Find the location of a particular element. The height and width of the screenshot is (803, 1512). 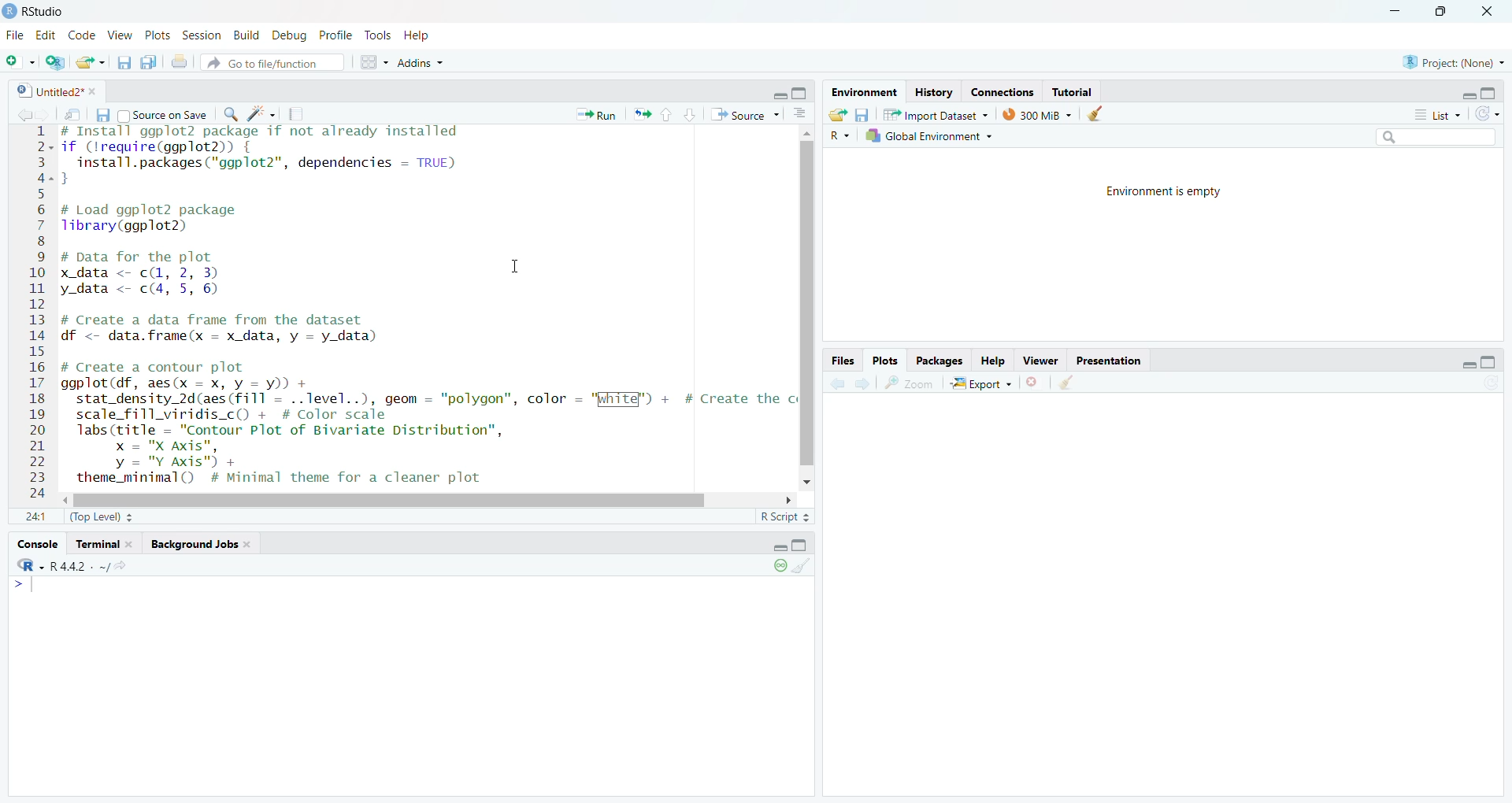

List  is located at coordinates (1440, 115).